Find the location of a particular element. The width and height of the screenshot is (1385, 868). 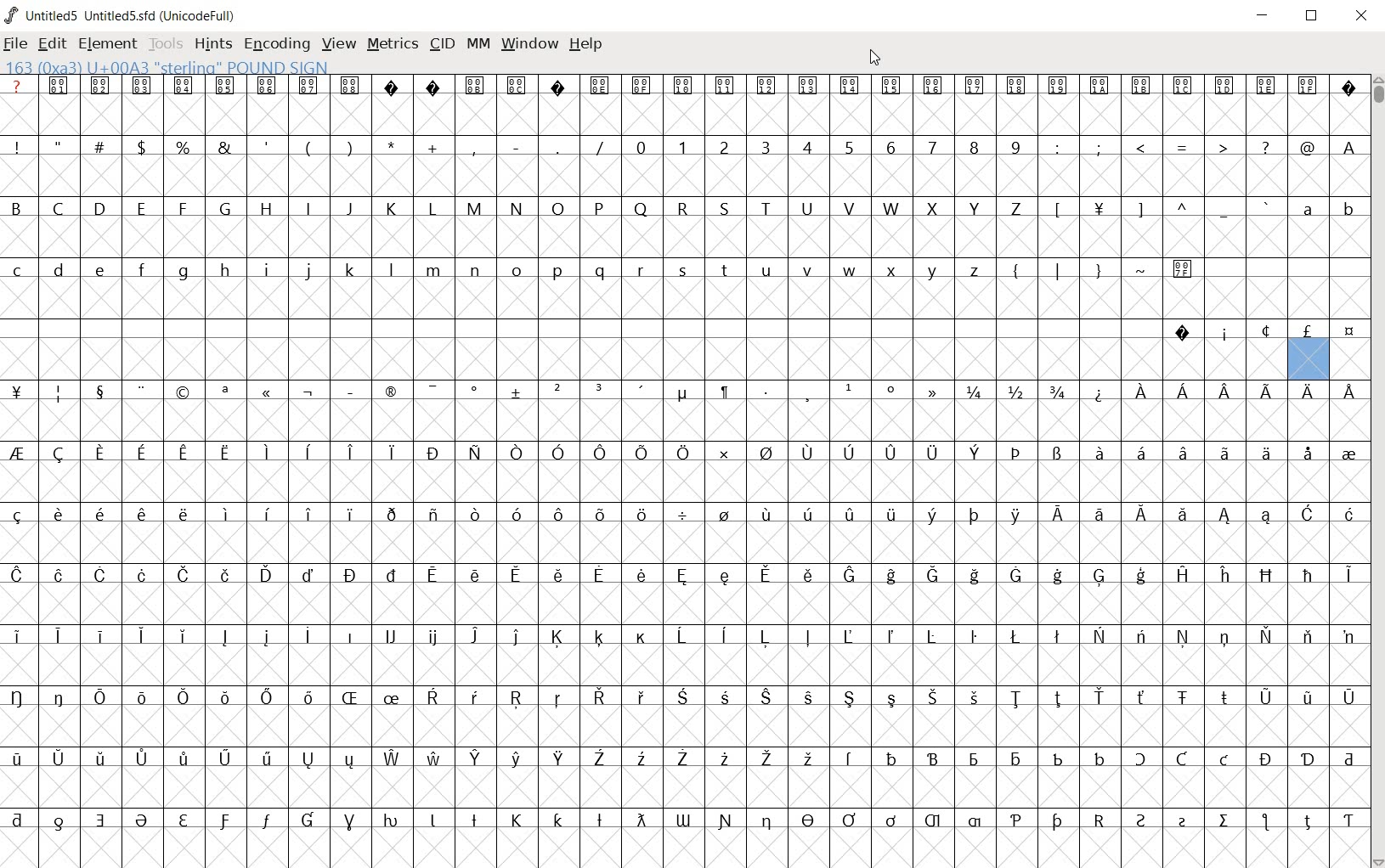

CID is located at coordinates (442, 45).